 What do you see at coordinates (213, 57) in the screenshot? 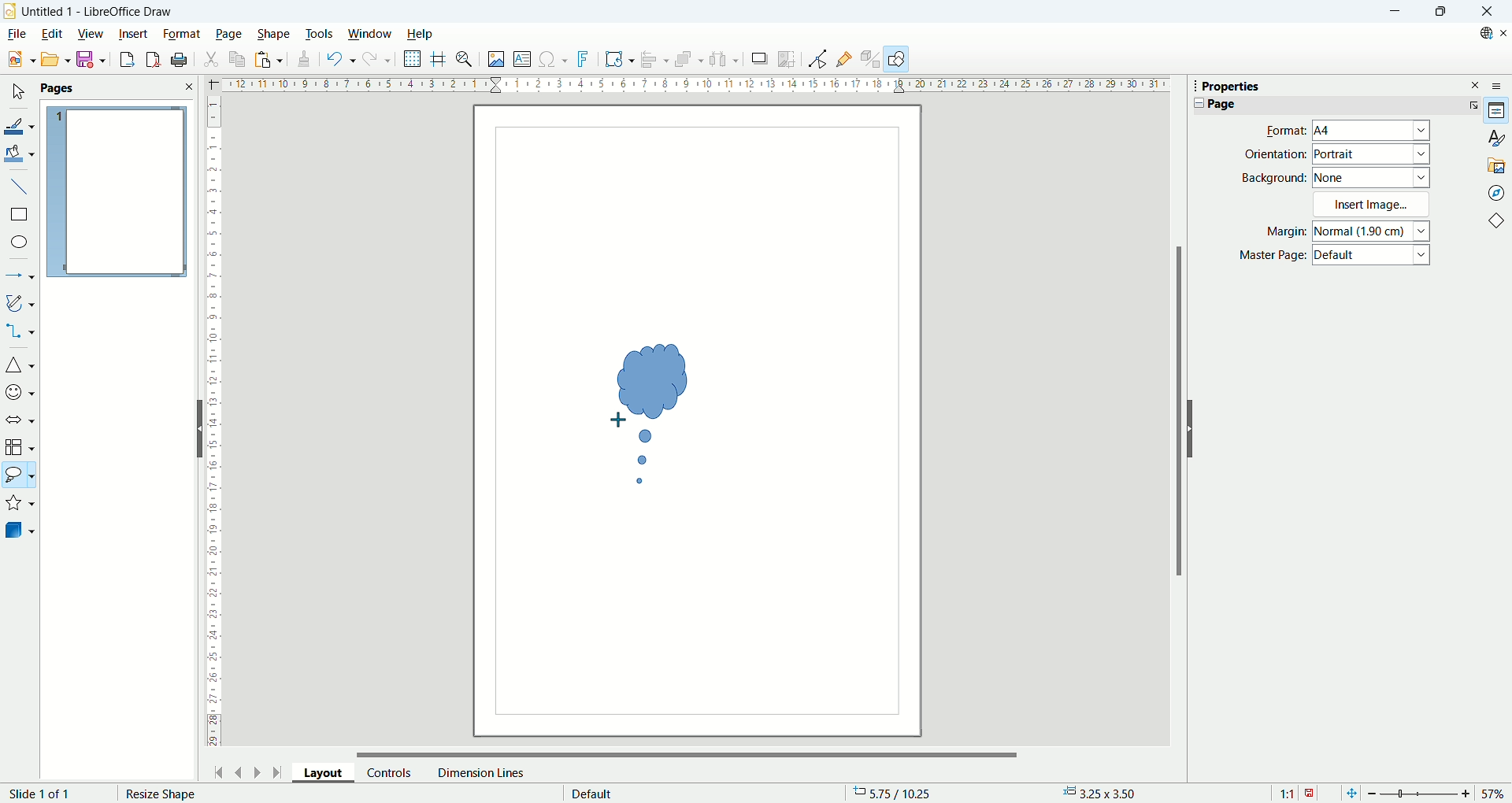
I see `cut` at bounding box center [213, 57].